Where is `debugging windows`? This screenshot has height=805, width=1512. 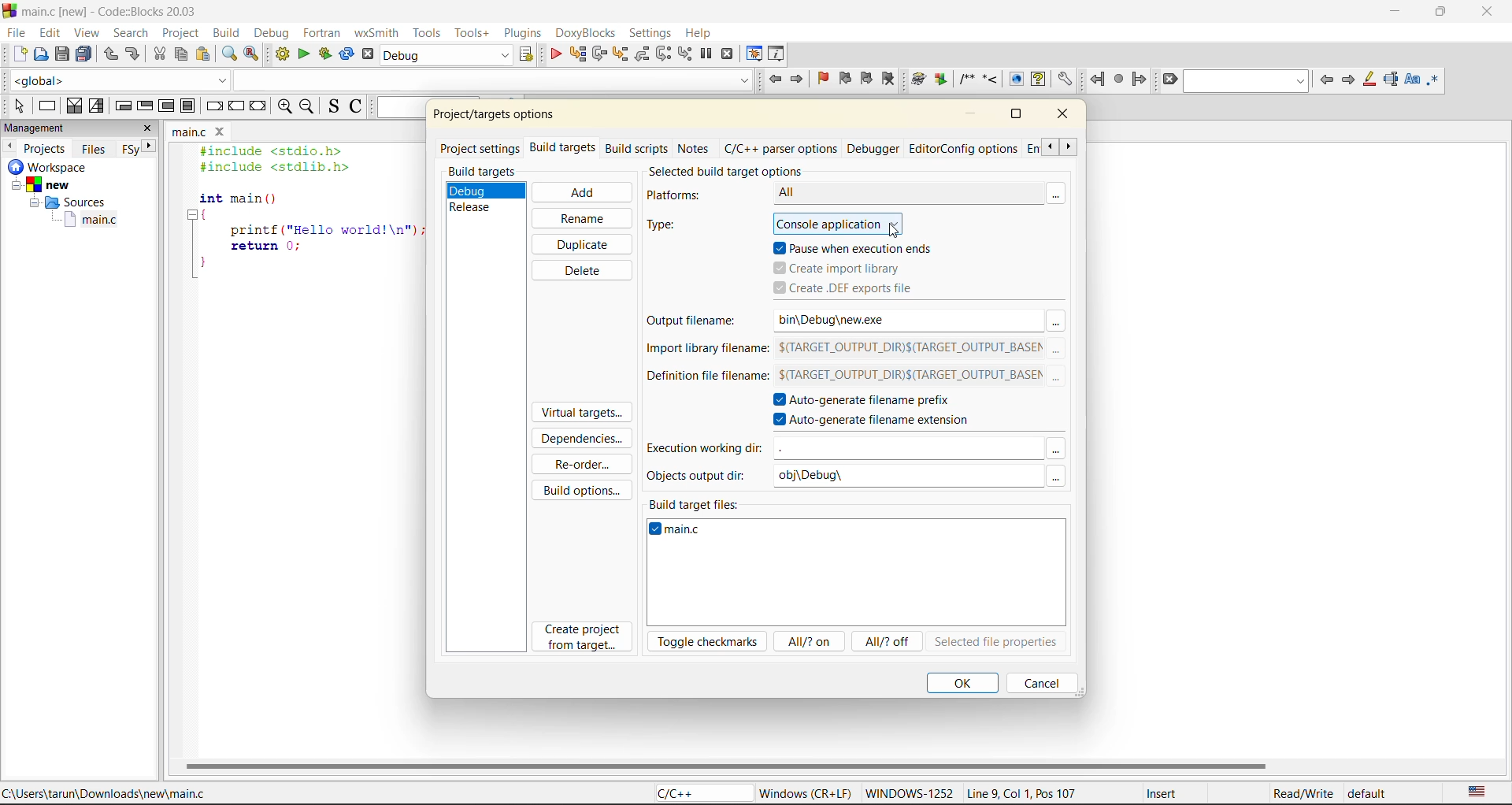
debugging windows is located at coordinates (754, 54).